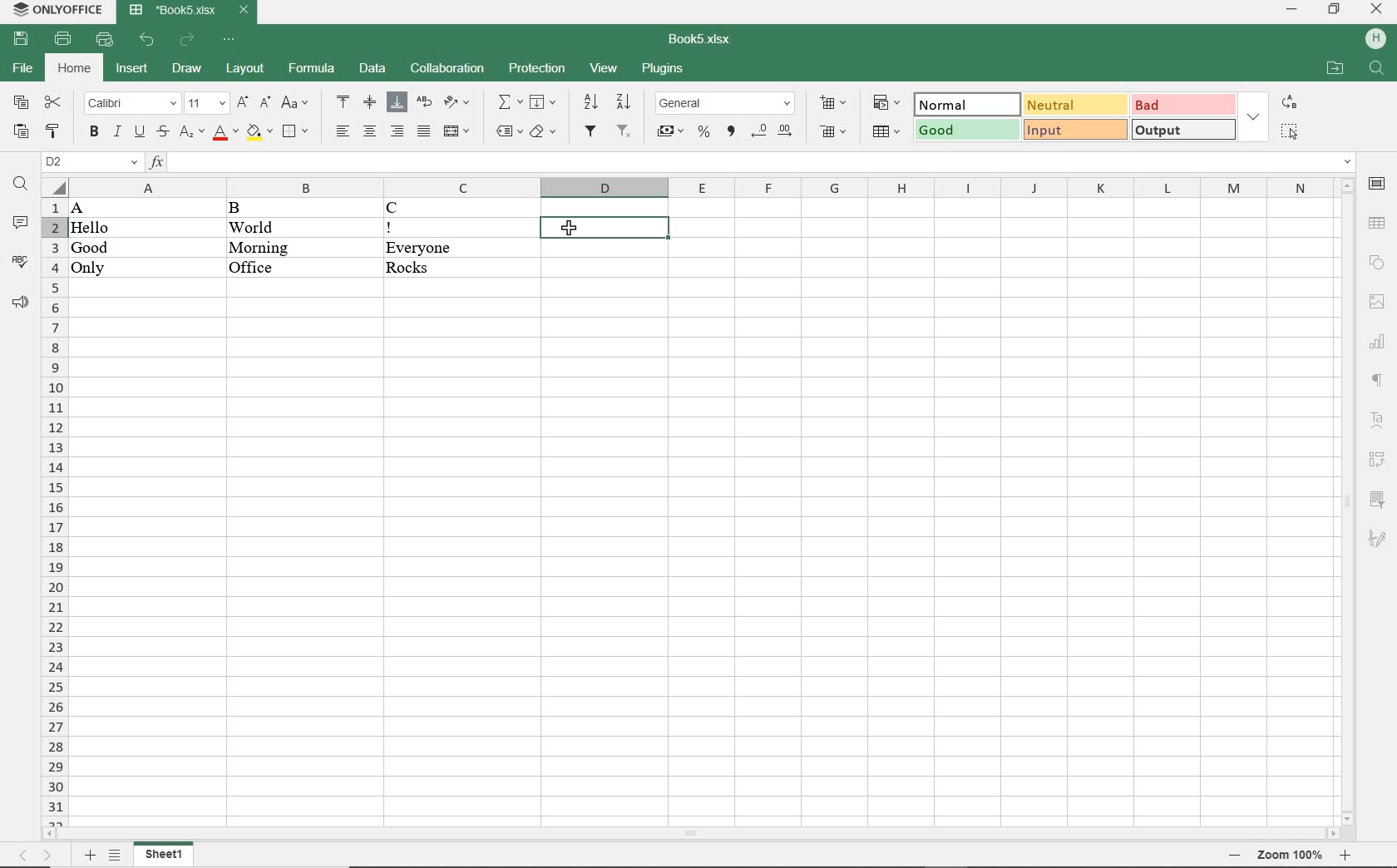  Describe the element at coordinates (260, 132) in the screenshot. I see `FILL COLOR` at that location.